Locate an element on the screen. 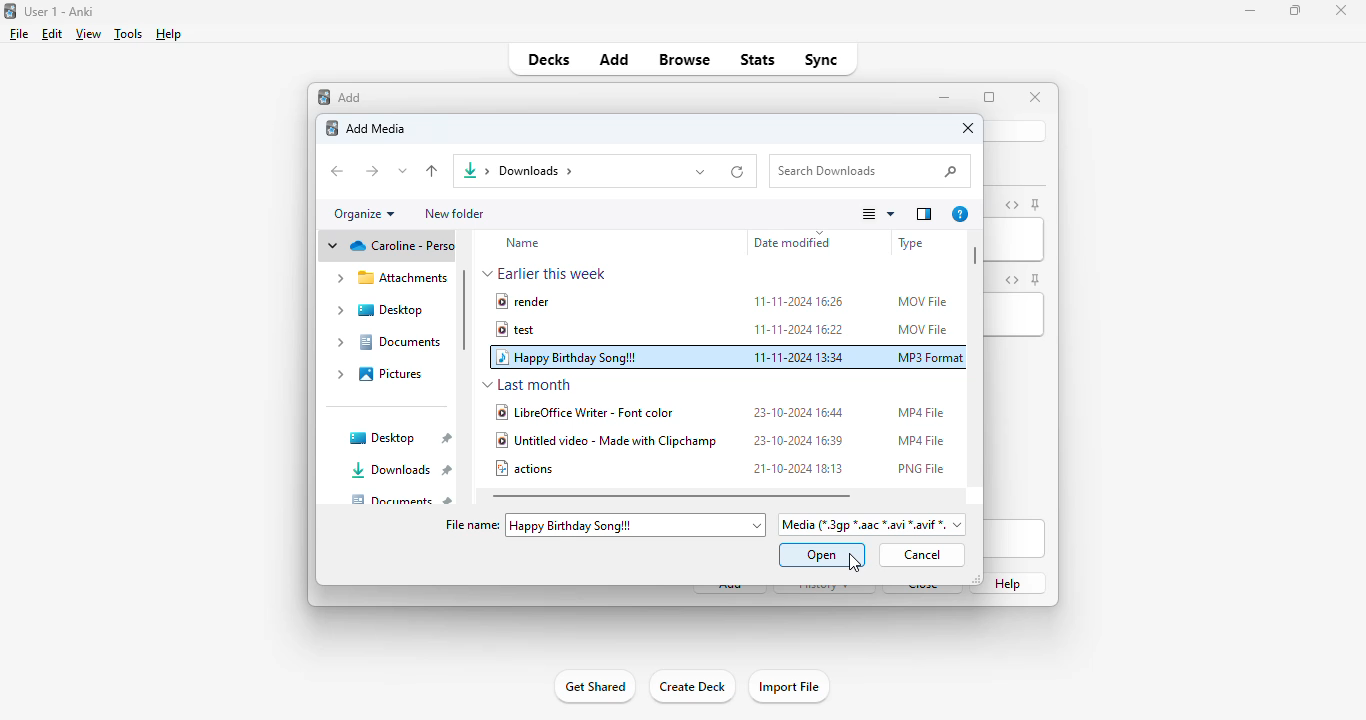  horizontal scroll bar is located at coordinates (975, 256).